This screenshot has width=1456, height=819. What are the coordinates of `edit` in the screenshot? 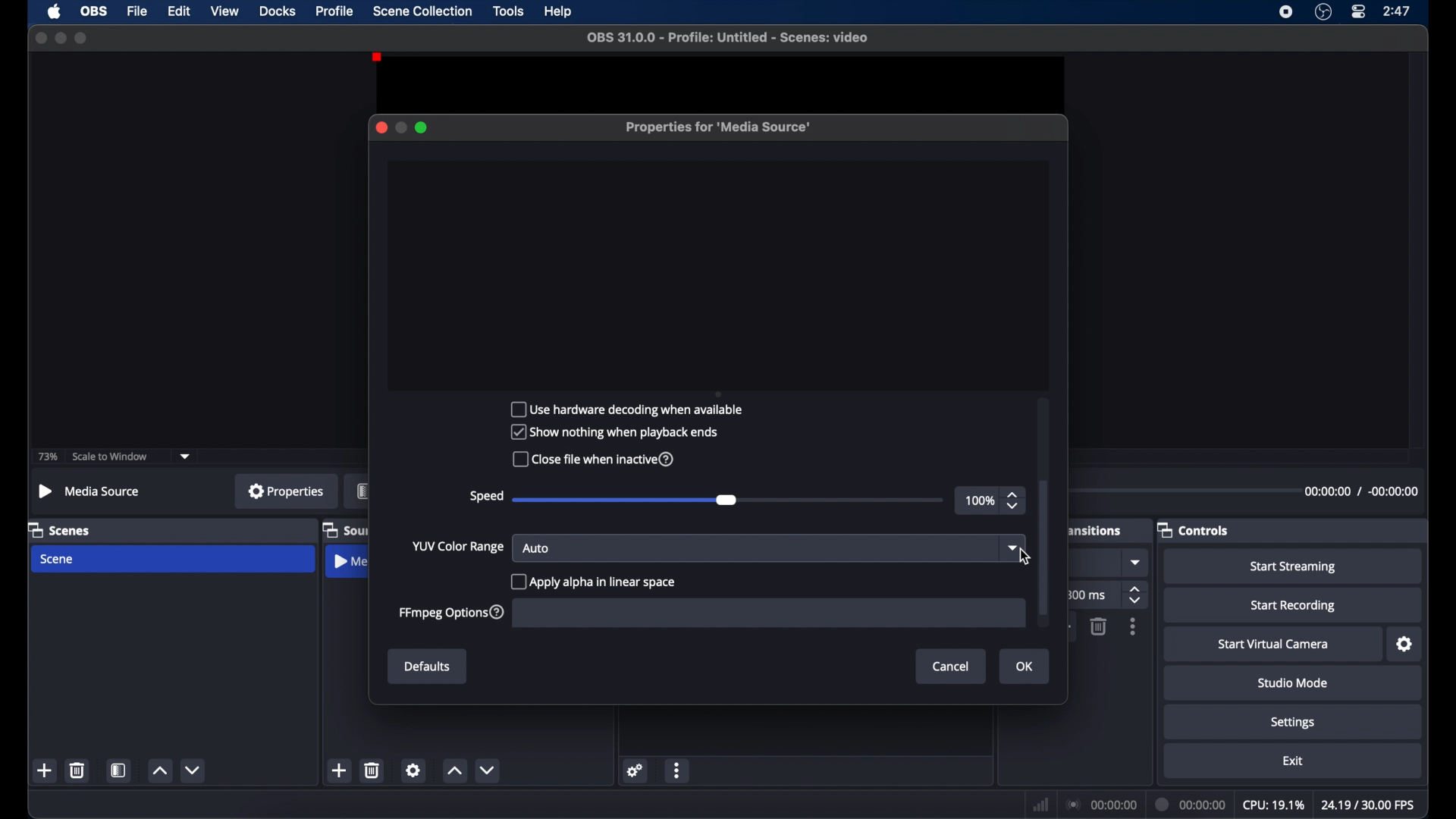 It's located at (179, 11).